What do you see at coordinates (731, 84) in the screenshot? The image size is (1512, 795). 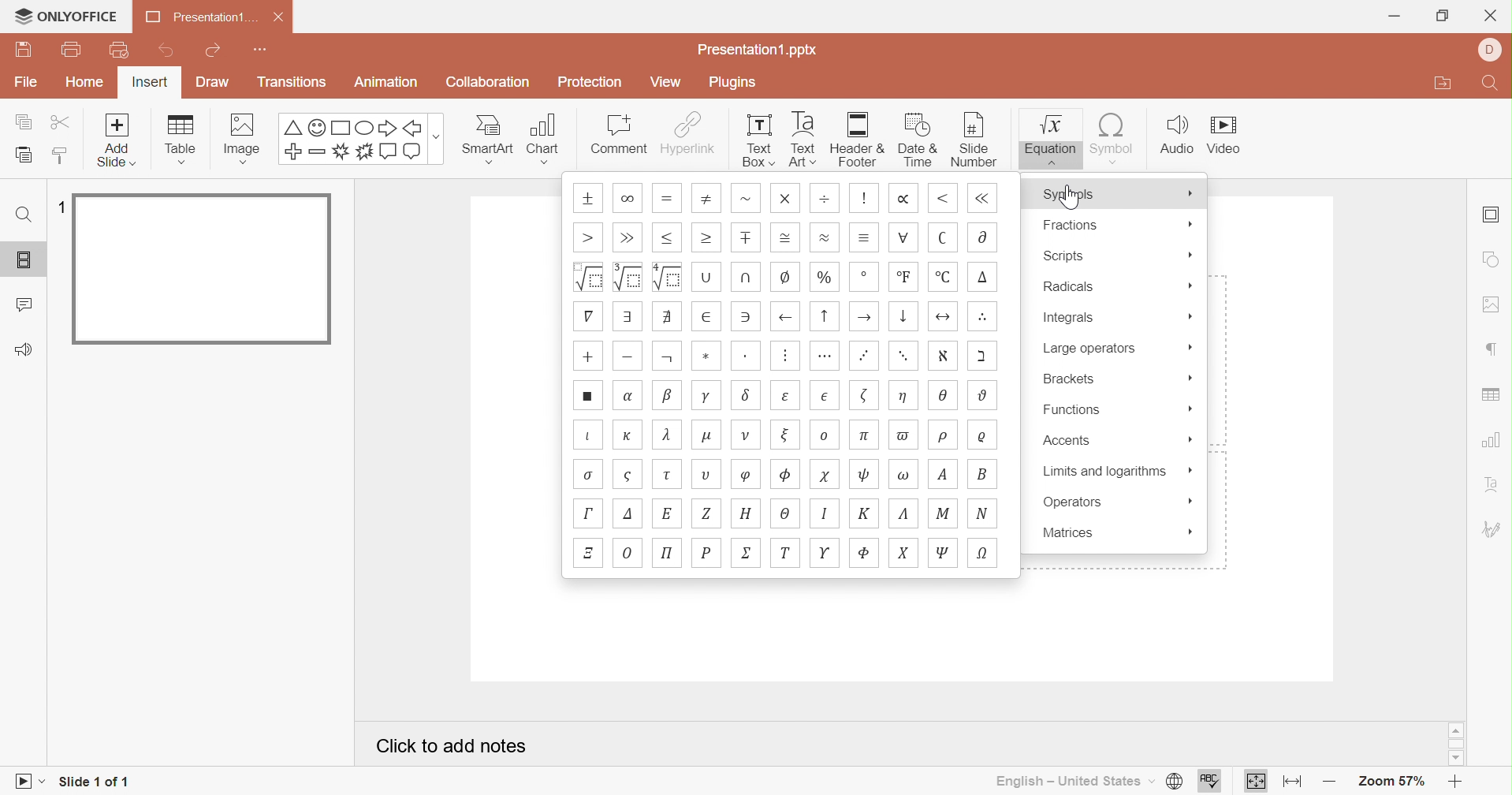 I see `Plugins` at bounding box center [731, 84].